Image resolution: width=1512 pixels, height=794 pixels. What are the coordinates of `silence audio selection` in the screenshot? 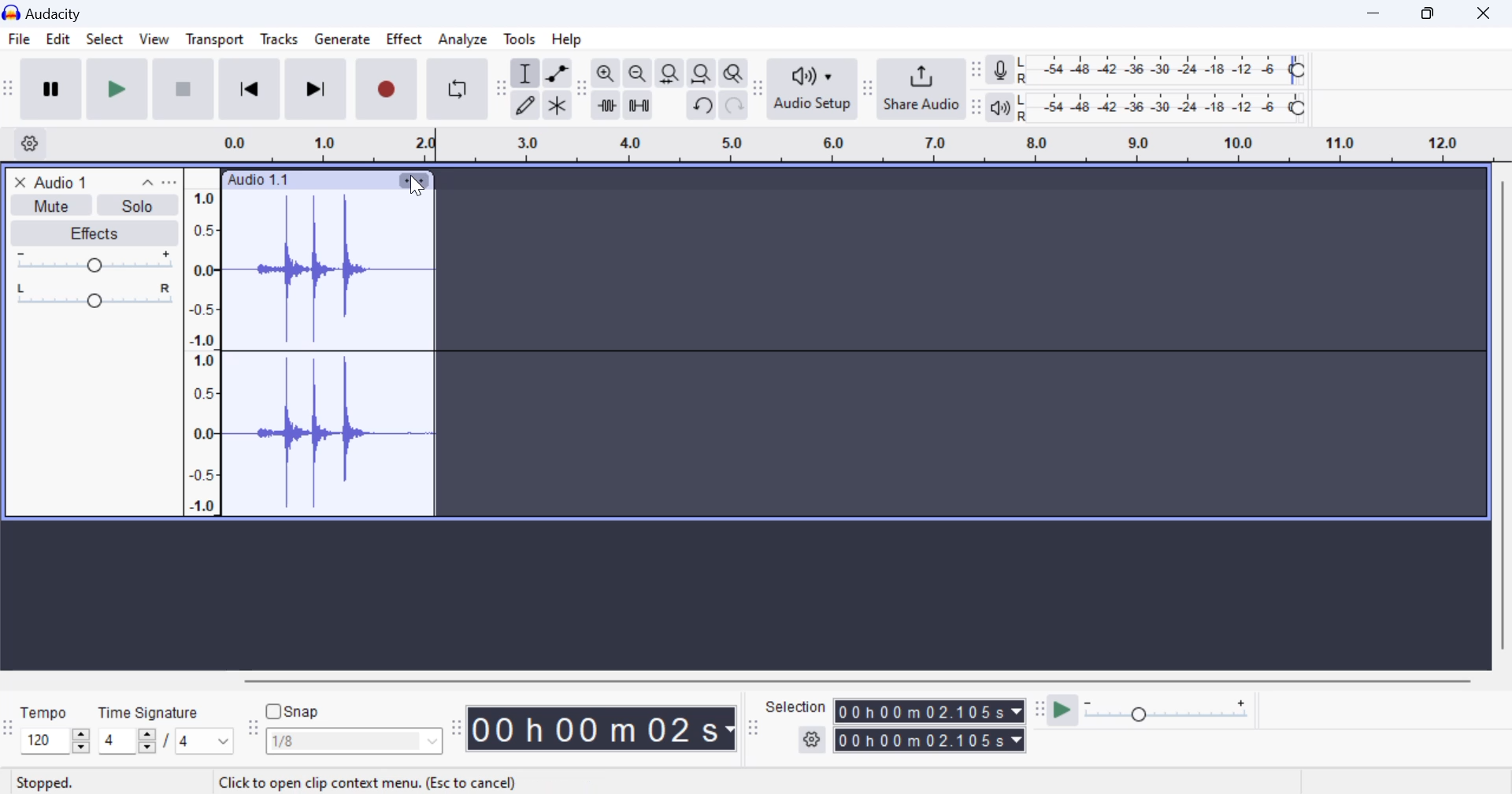 It's located at (639, 106).